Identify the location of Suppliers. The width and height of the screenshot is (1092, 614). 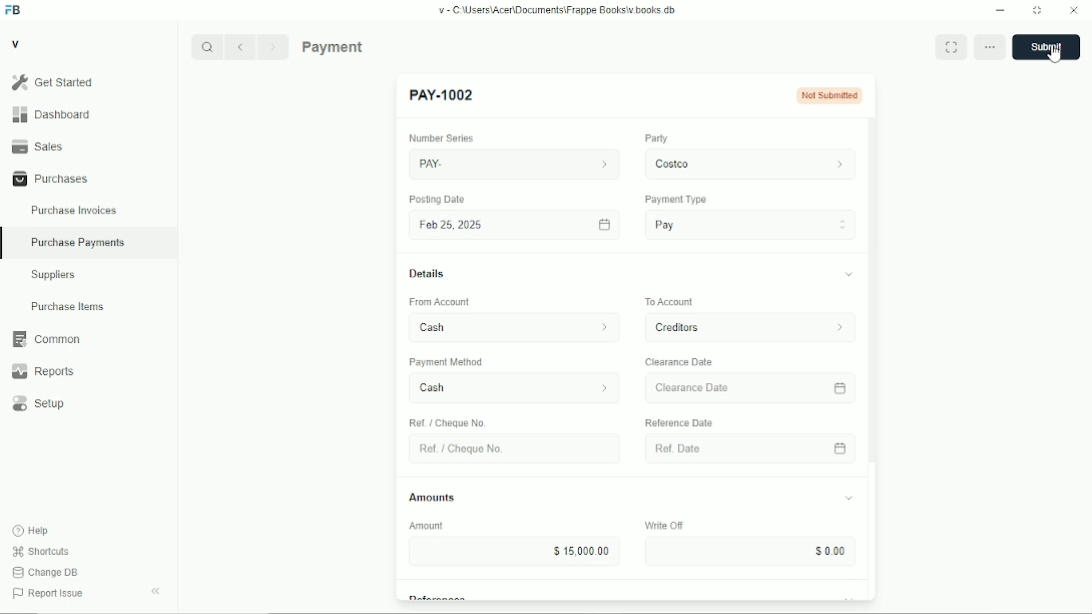
(89, 275).